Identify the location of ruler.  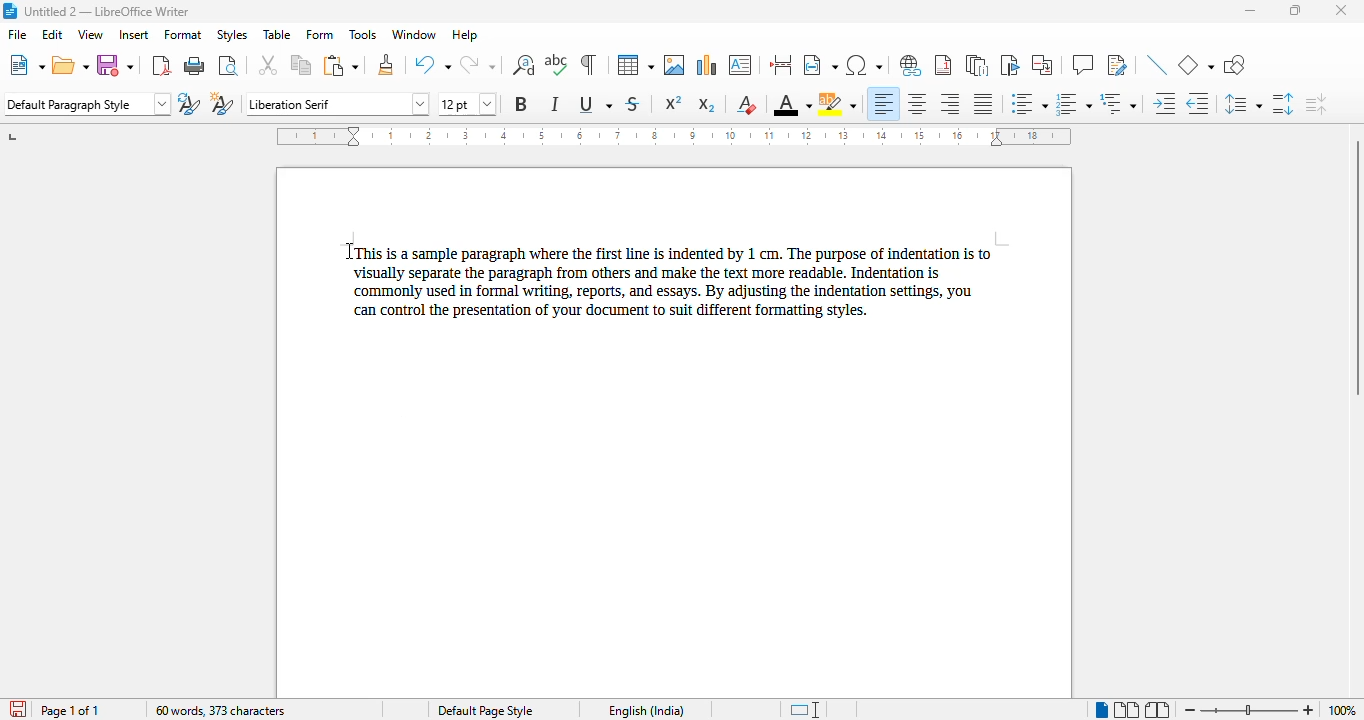
(673, 136).